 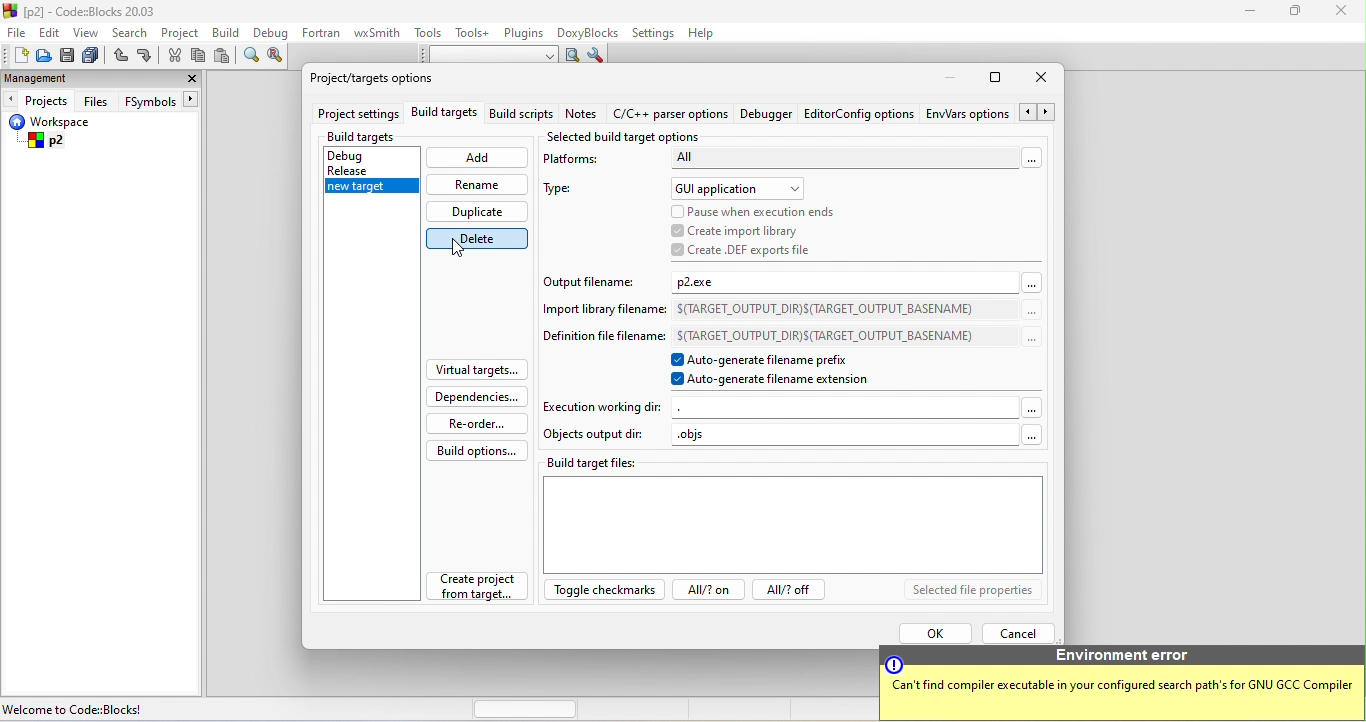 I want to click on editor config option, so click(x=860, y=118).